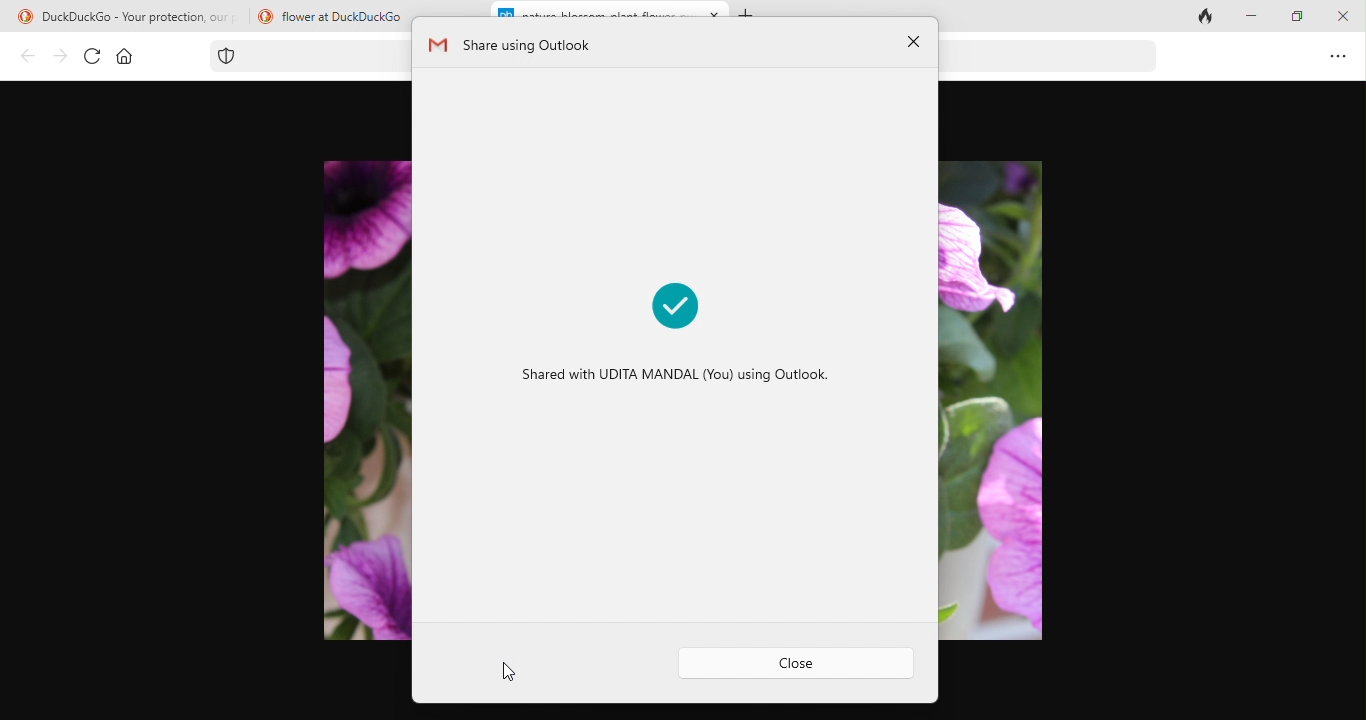 This screenshot has width=1366, height=720. What do you see at coordinates (750, 10) in the screenshot?
I see `add` at bounding box center [750, 10].